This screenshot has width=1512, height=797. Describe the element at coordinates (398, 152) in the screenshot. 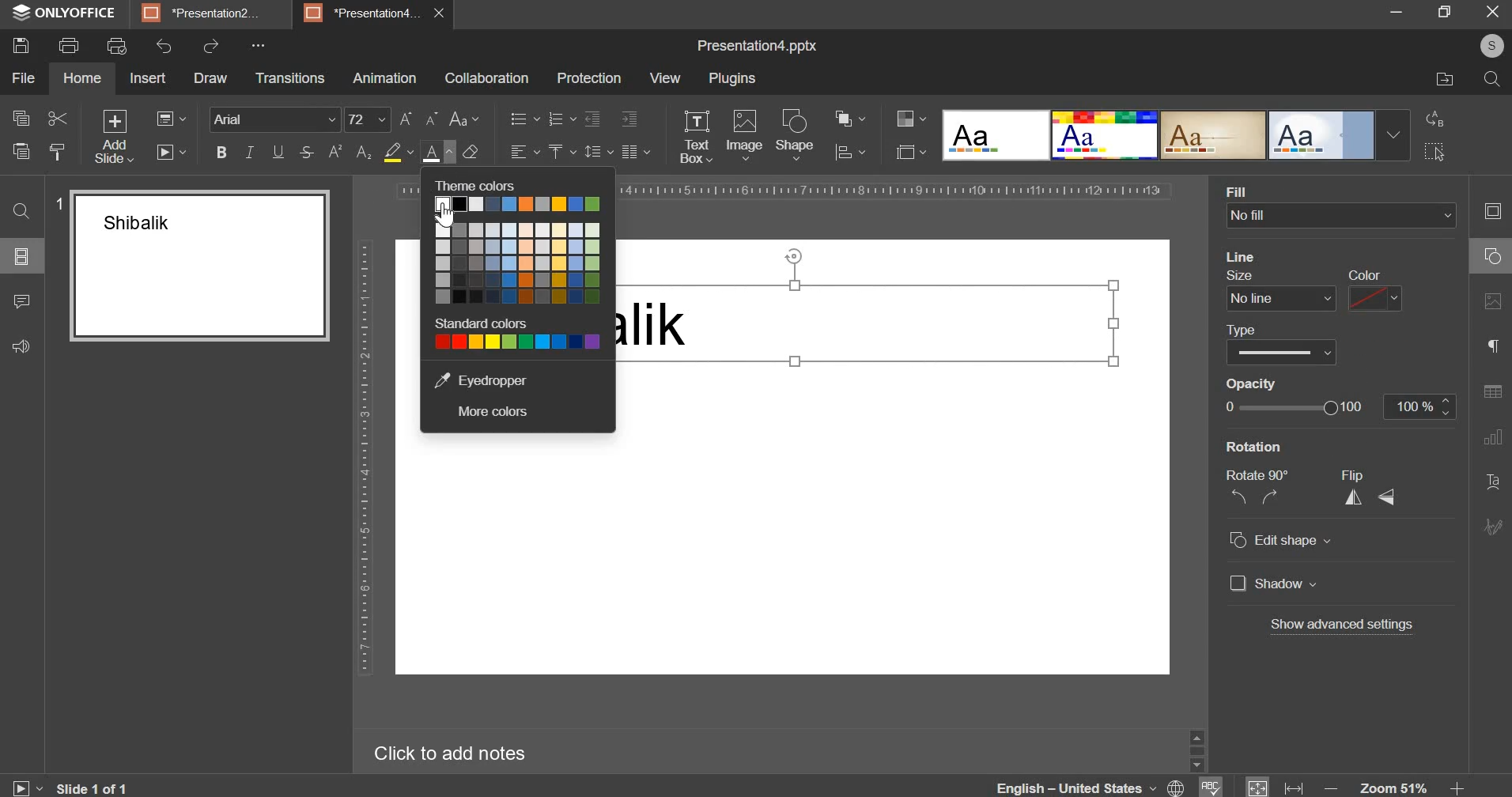

I see `fill color` at that location.